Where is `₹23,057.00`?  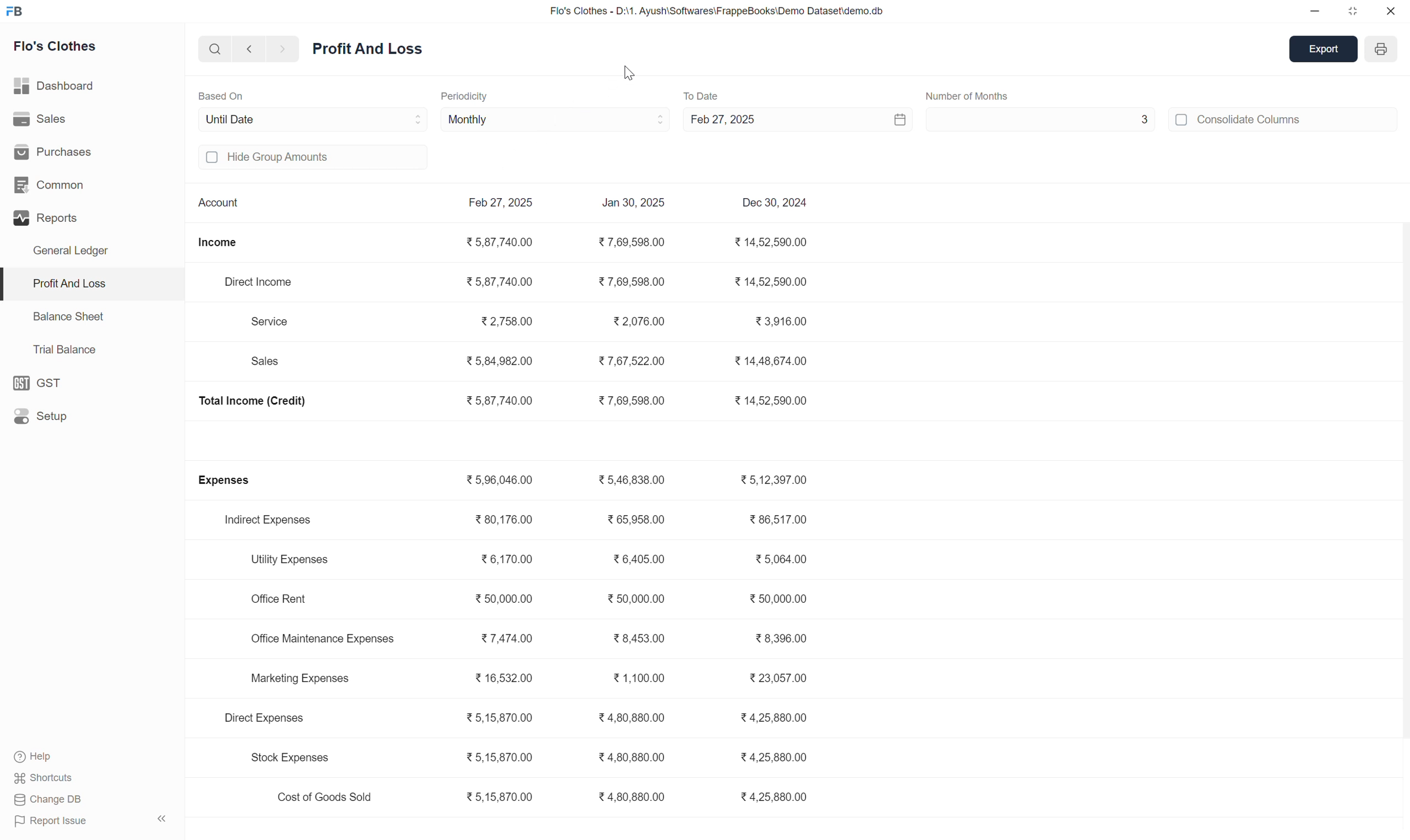 ₹23,057.00 is located at coordinates (776, 680).